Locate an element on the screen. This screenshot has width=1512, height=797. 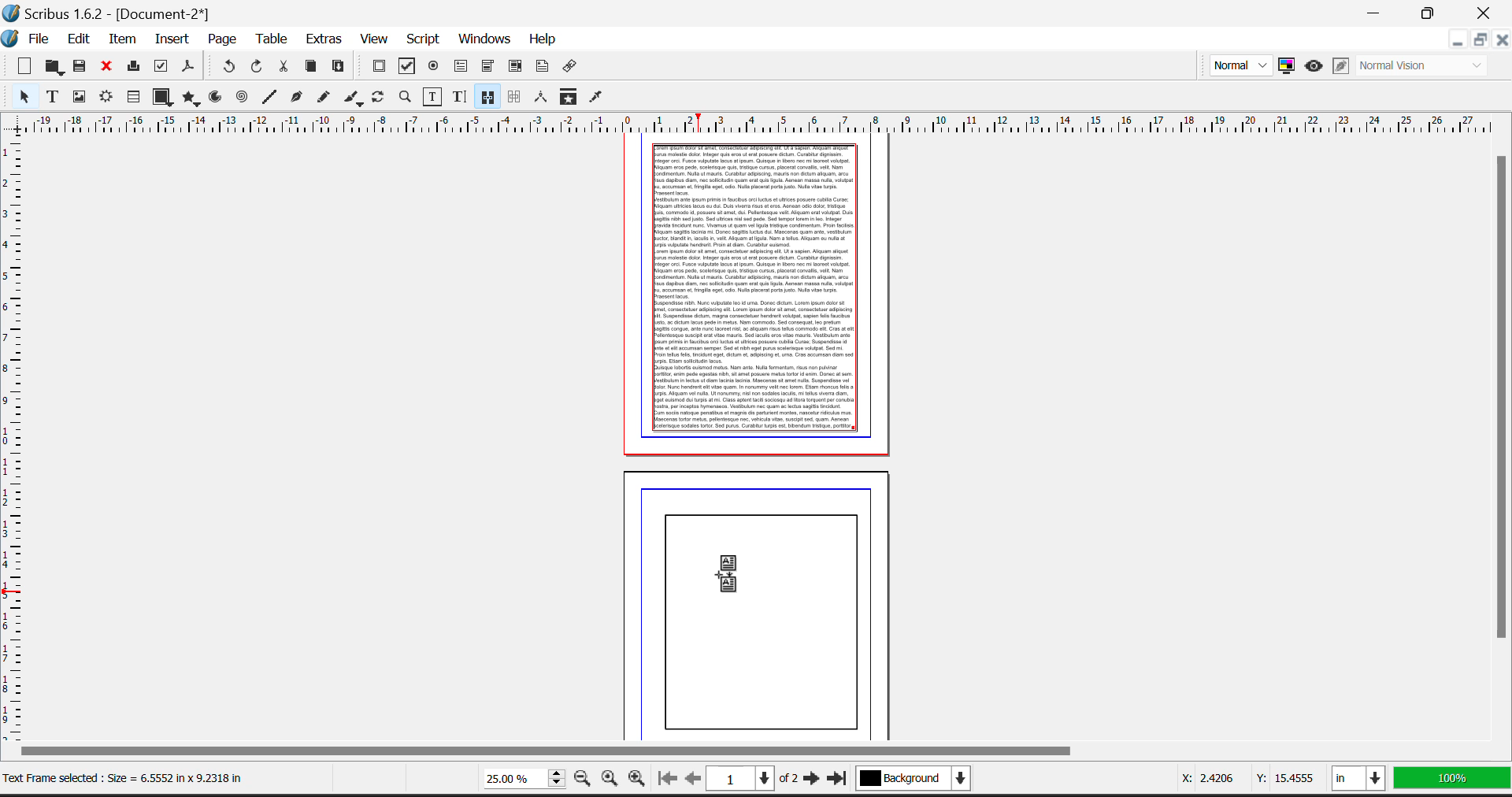
Rotate Image is located at coordinates (380, 98).